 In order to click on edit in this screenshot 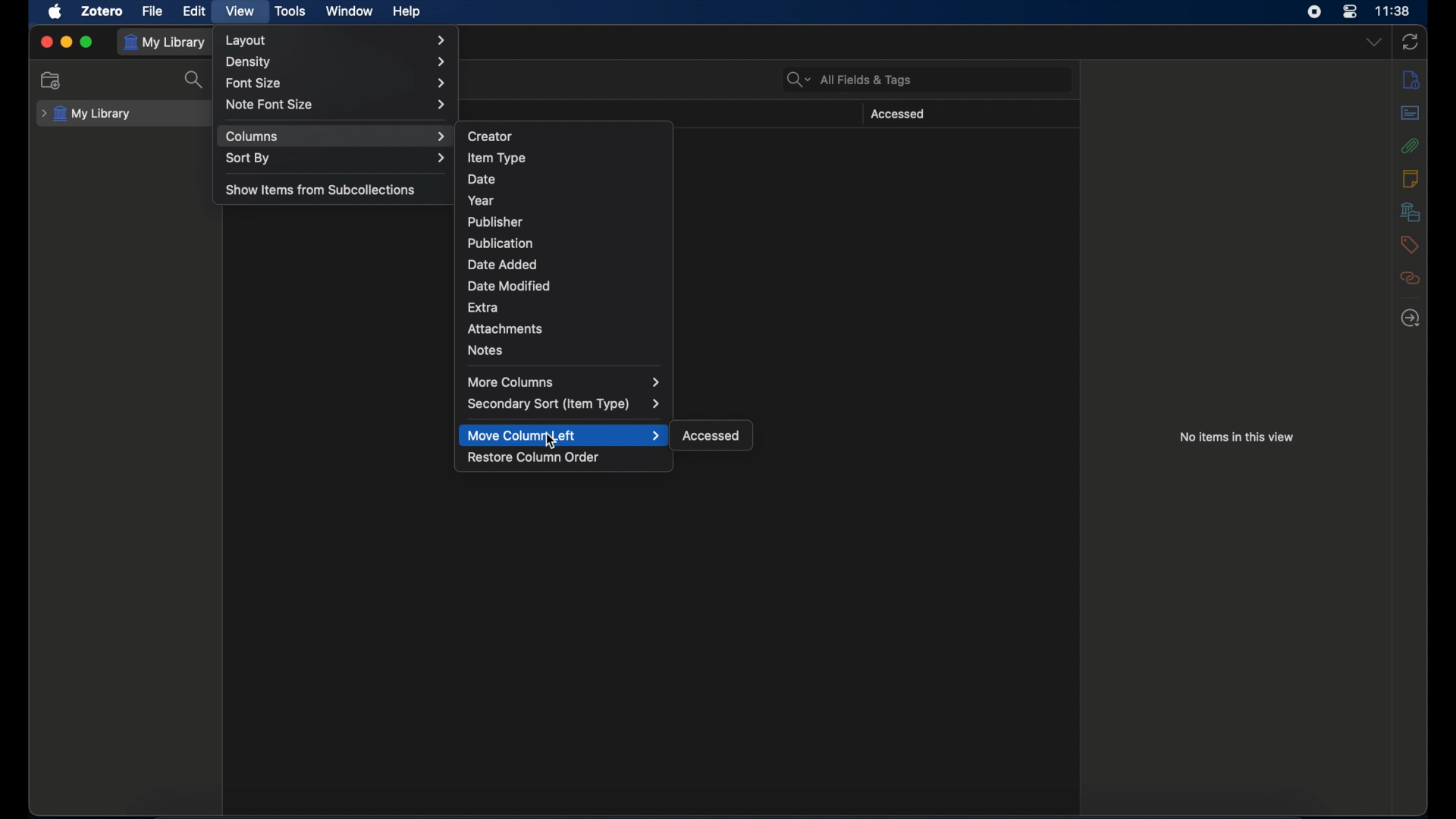, I will do `click(196, 11)`.